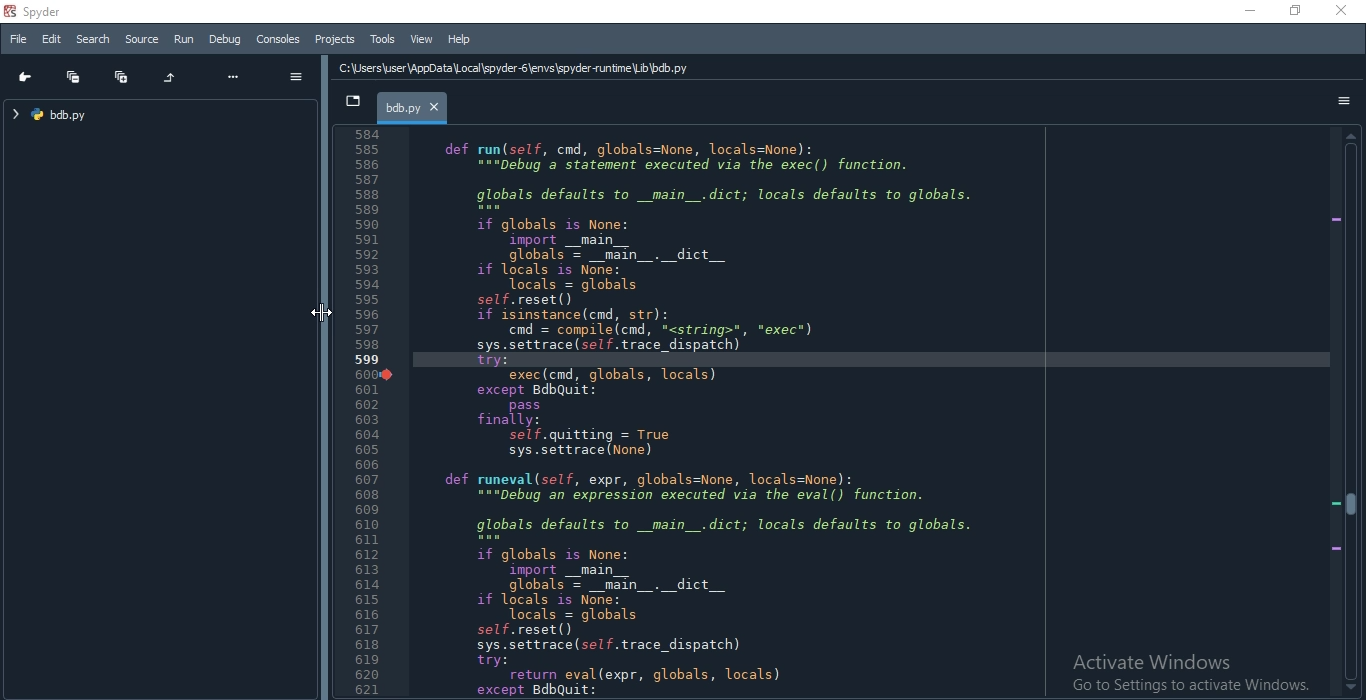 The image size is (1366, 700). I want to click on Projects, so click(335, 38).